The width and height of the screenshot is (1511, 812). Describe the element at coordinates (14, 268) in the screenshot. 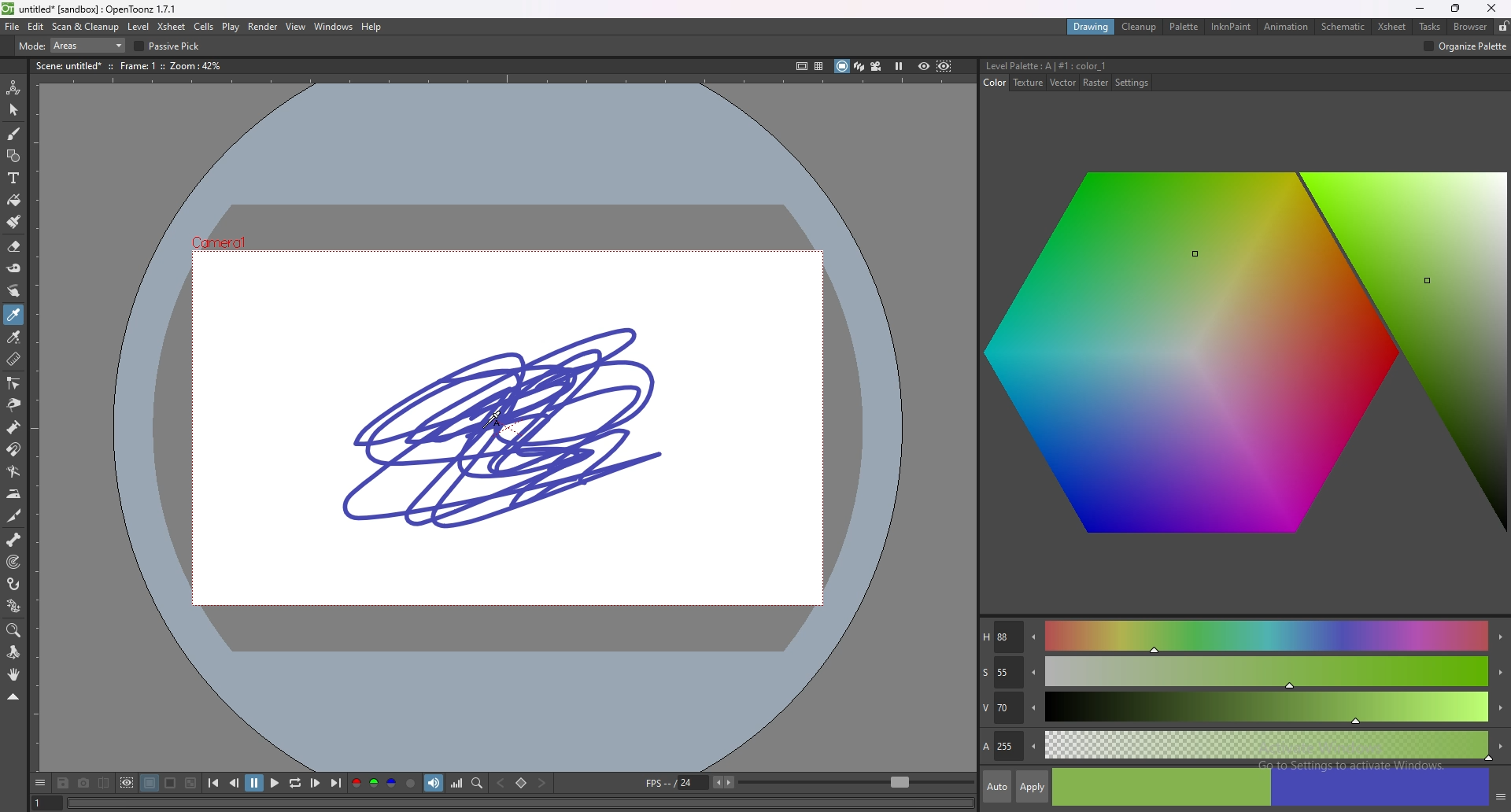

I see `tape tool` at that location.